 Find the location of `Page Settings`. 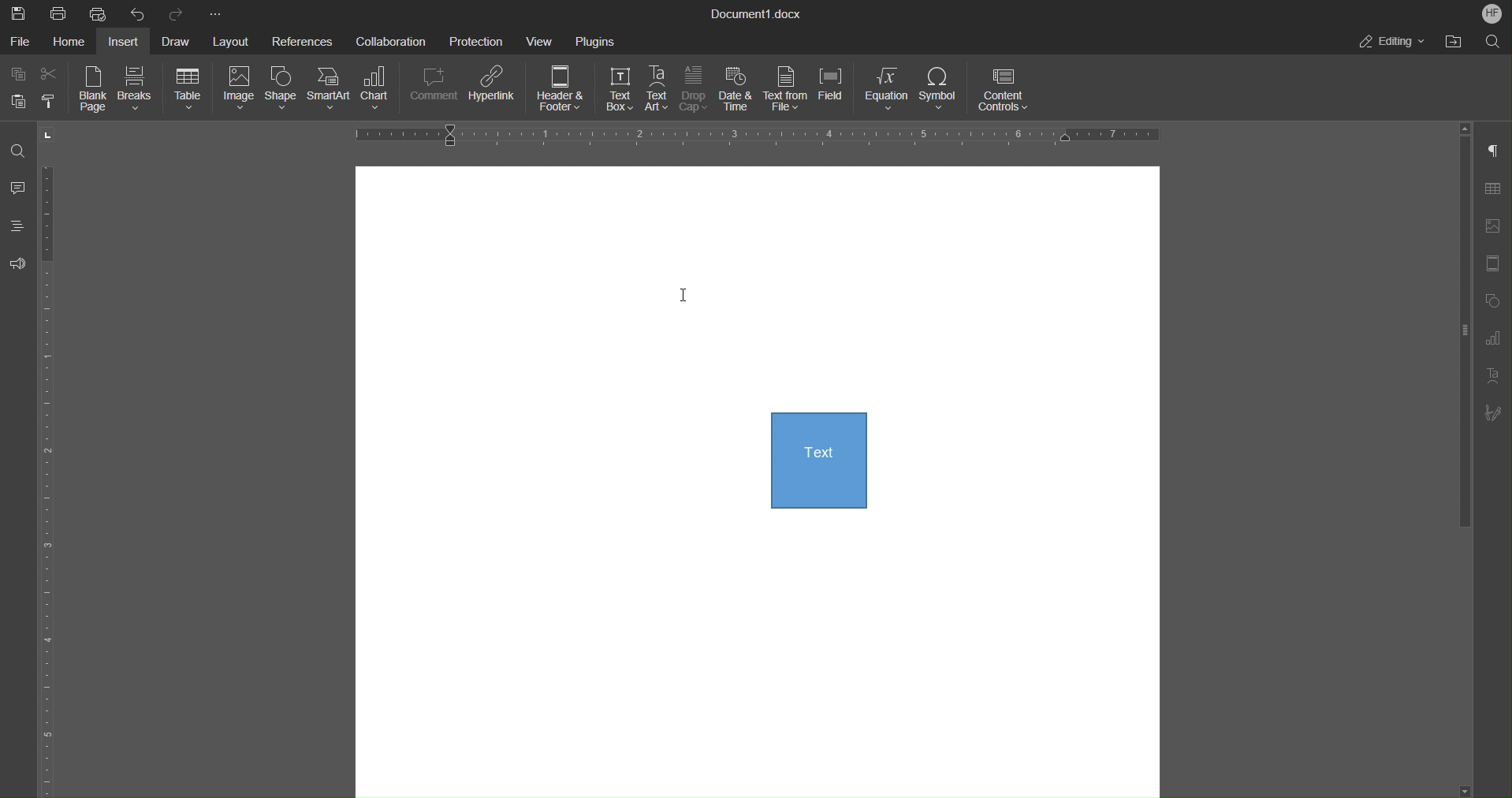

Page Settings is located at coordinates (1496, 263).